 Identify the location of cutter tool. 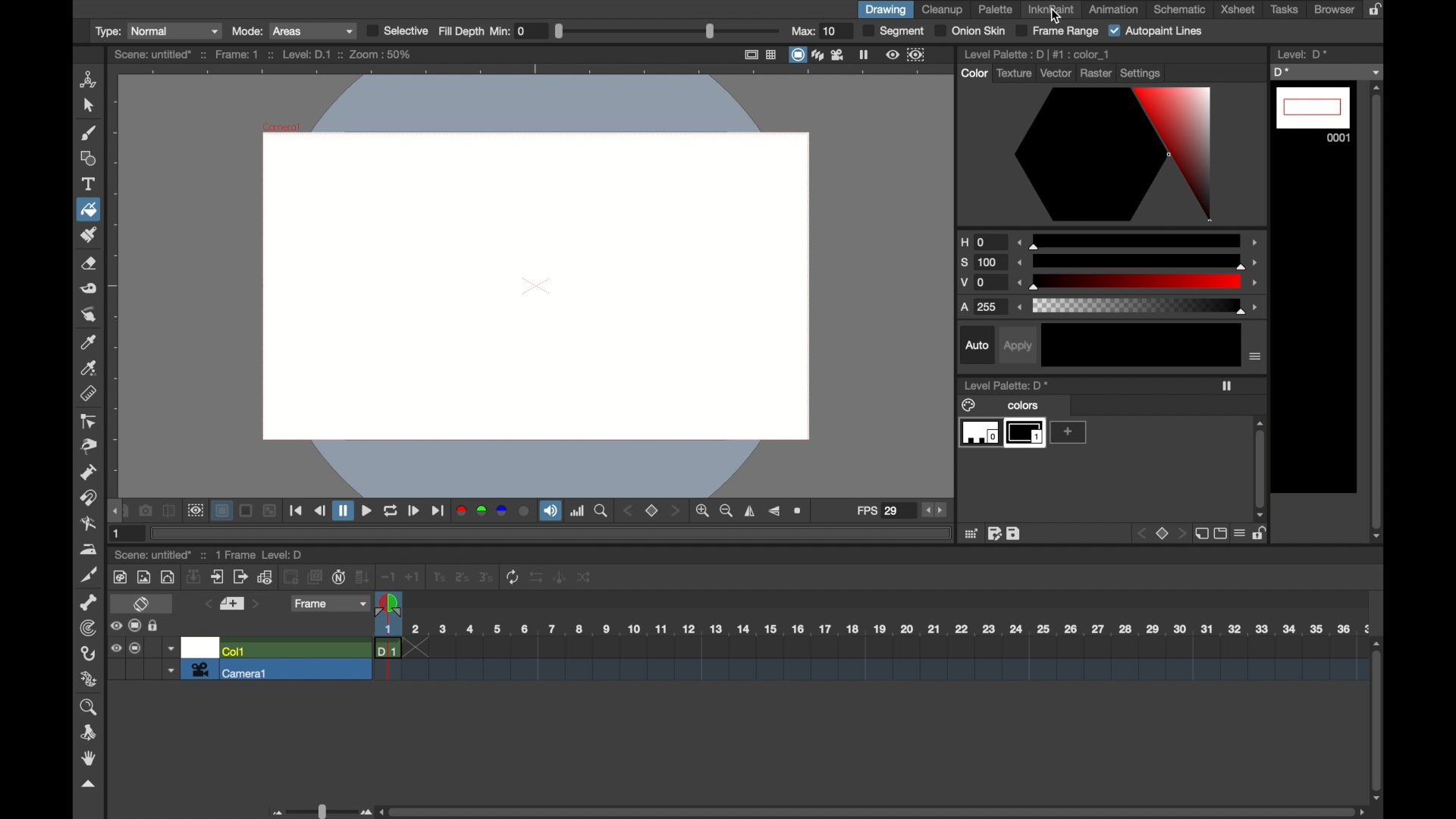
(89, 576).